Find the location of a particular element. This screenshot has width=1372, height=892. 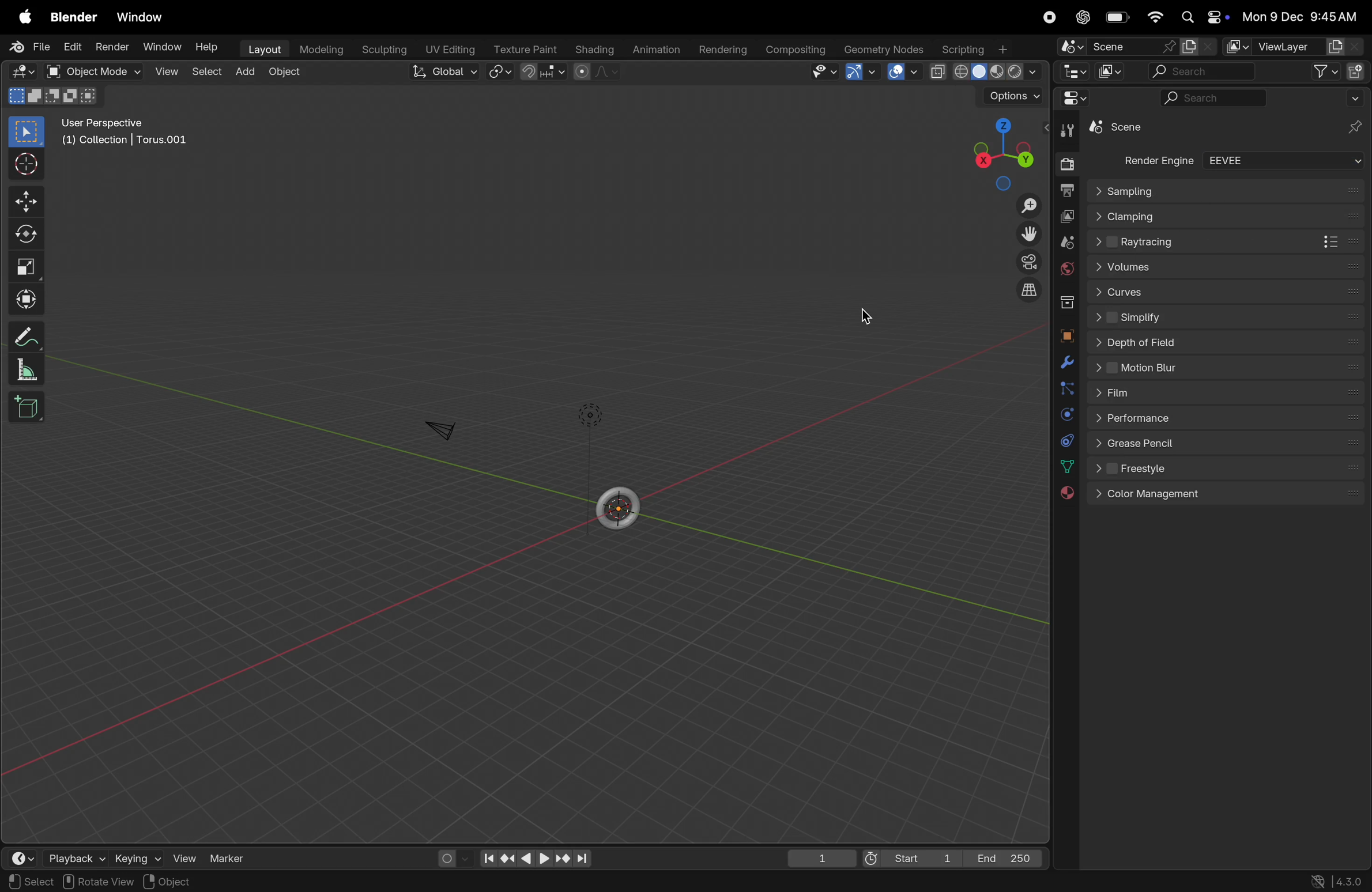

Window is located at coordinates (165, 44).